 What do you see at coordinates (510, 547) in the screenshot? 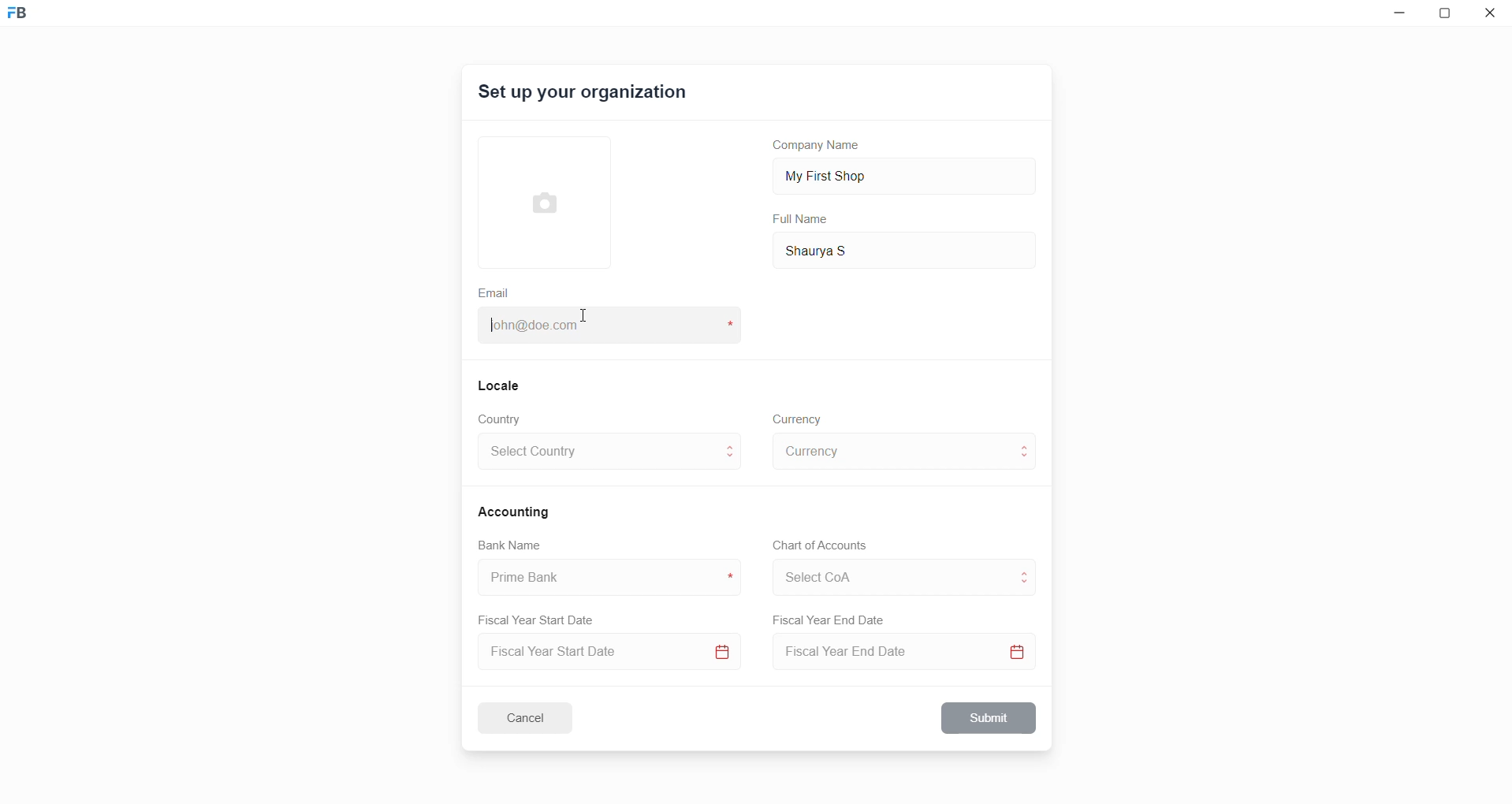
I see `Bank Name` at bounding box center [510, 547].